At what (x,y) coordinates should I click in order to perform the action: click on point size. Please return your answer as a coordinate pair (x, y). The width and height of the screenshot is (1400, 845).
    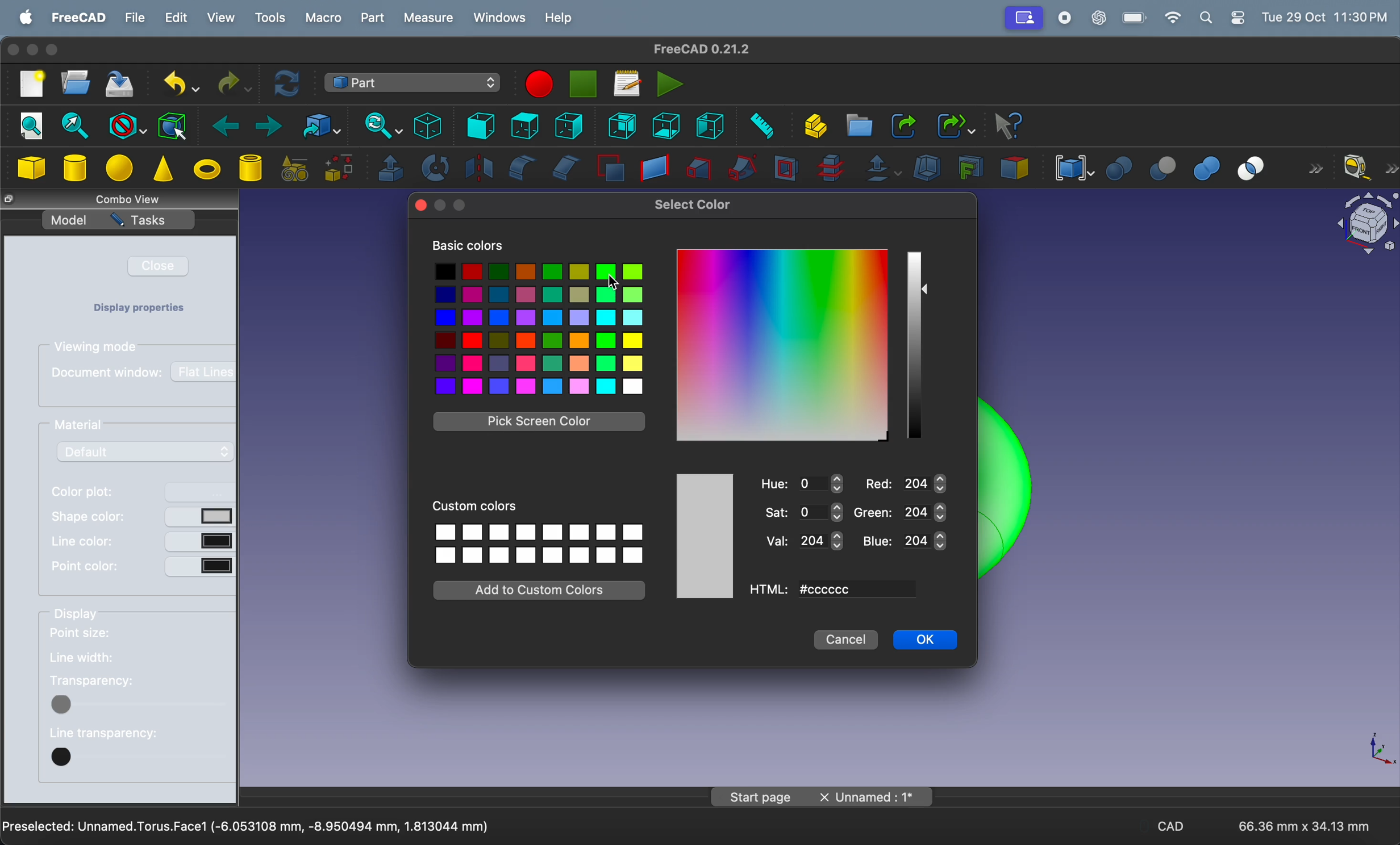
    Looking at the image, I should click on (97, 635).